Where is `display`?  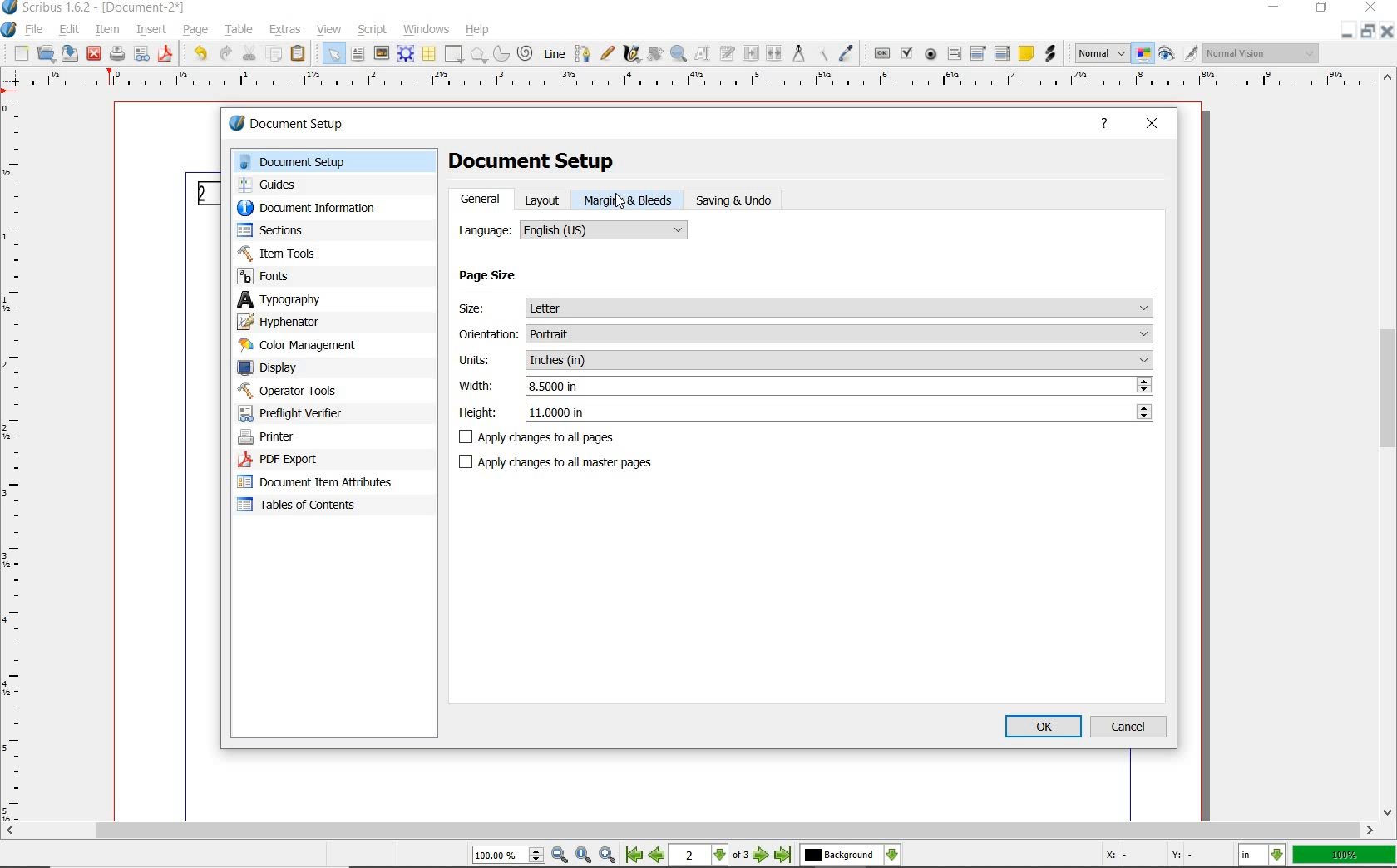 display is located at coordinates (275, 368).